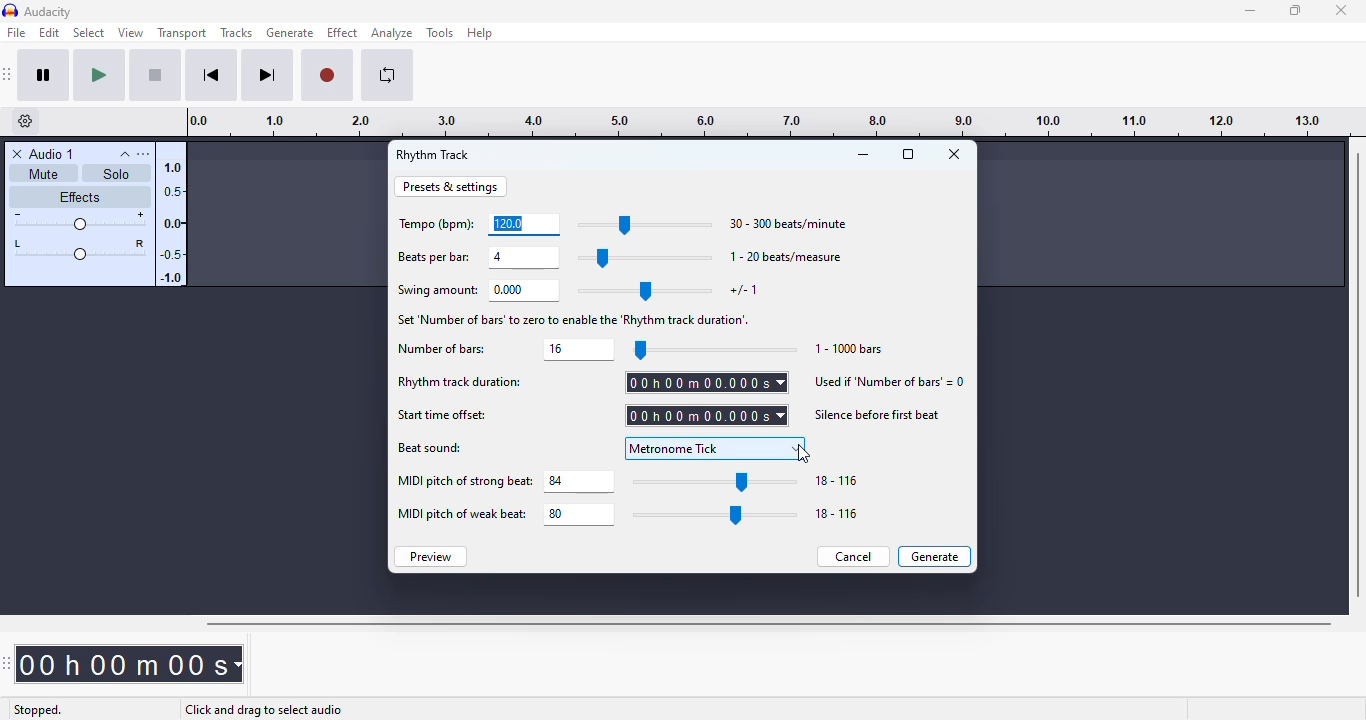 The image size is (1366, 720). I want to click on delete track, so click(17, 154).